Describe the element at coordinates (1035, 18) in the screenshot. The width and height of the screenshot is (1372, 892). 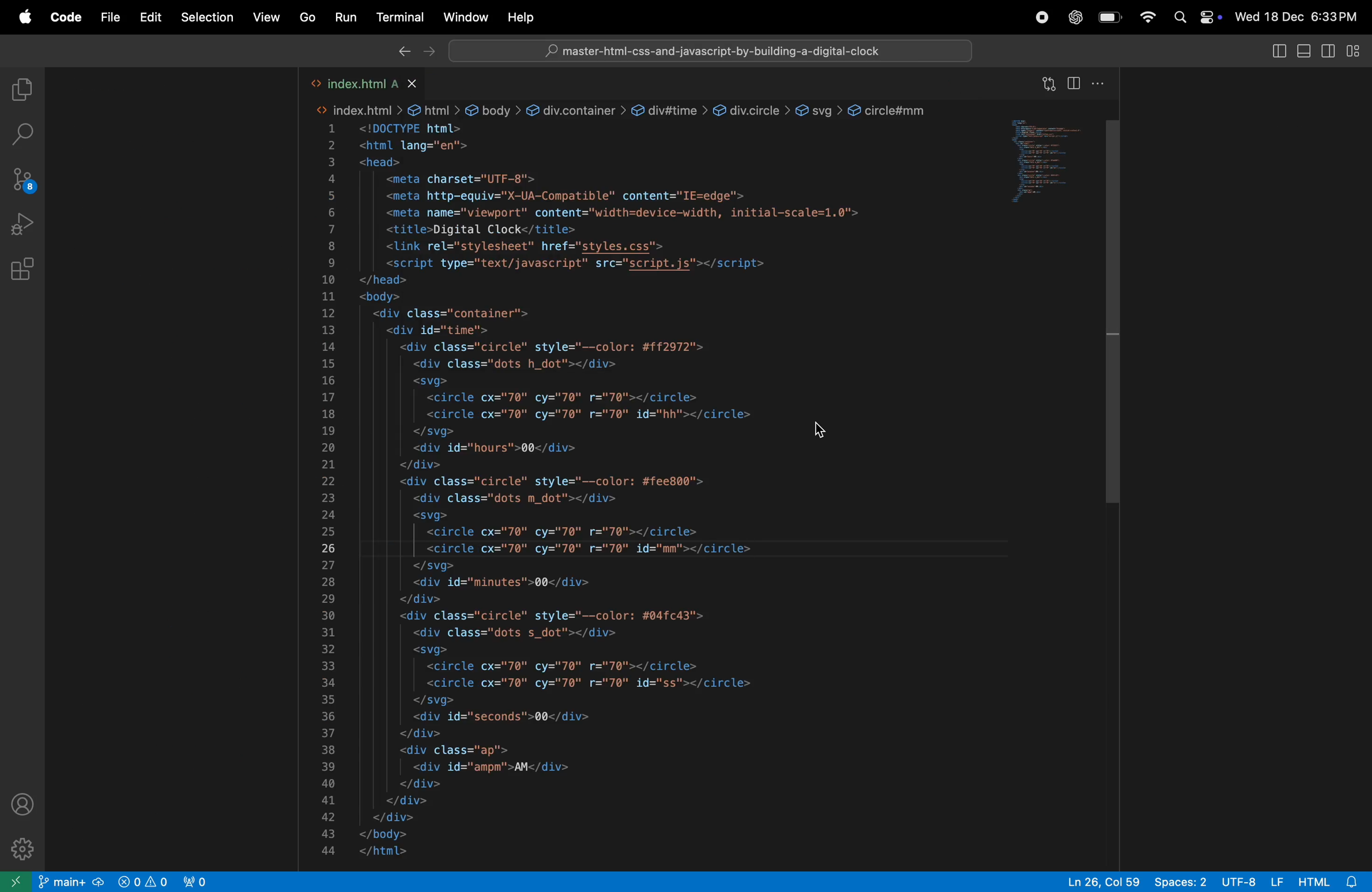
I see `record` at that location.